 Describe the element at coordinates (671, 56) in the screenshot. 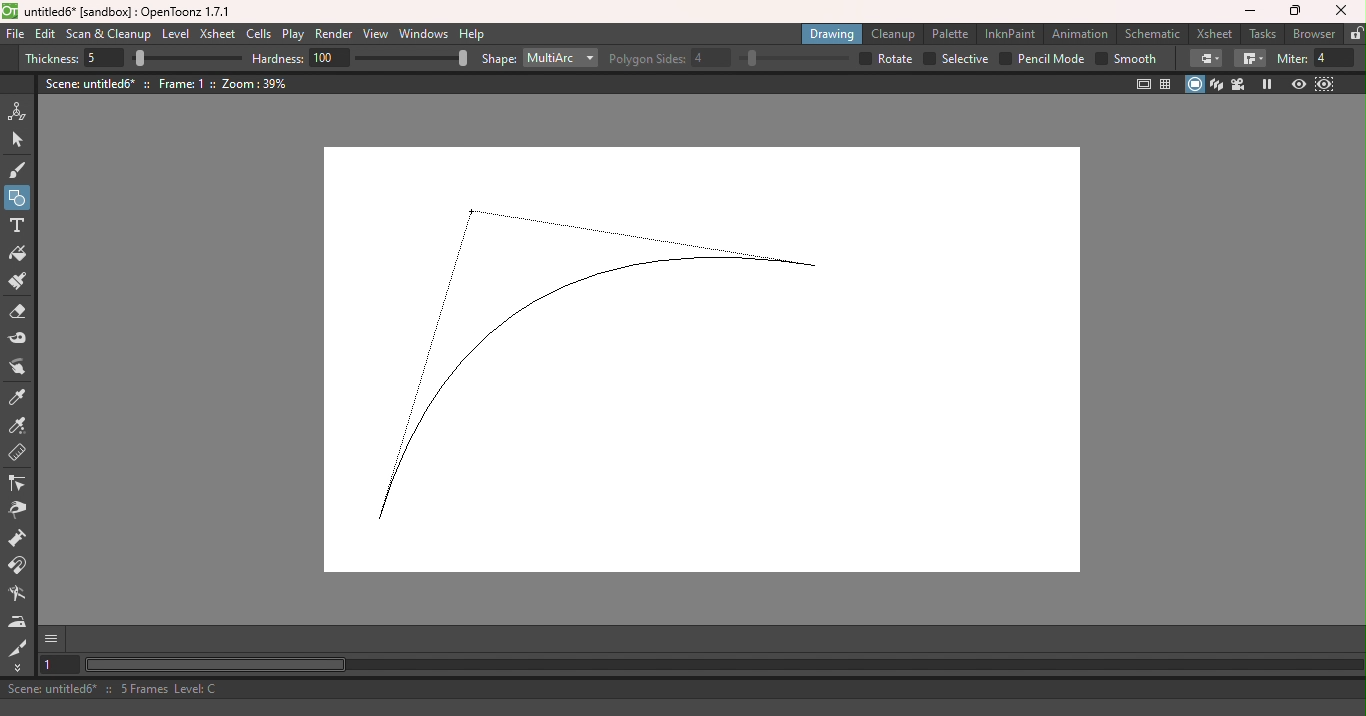

I see `Polygon sides` at that location.